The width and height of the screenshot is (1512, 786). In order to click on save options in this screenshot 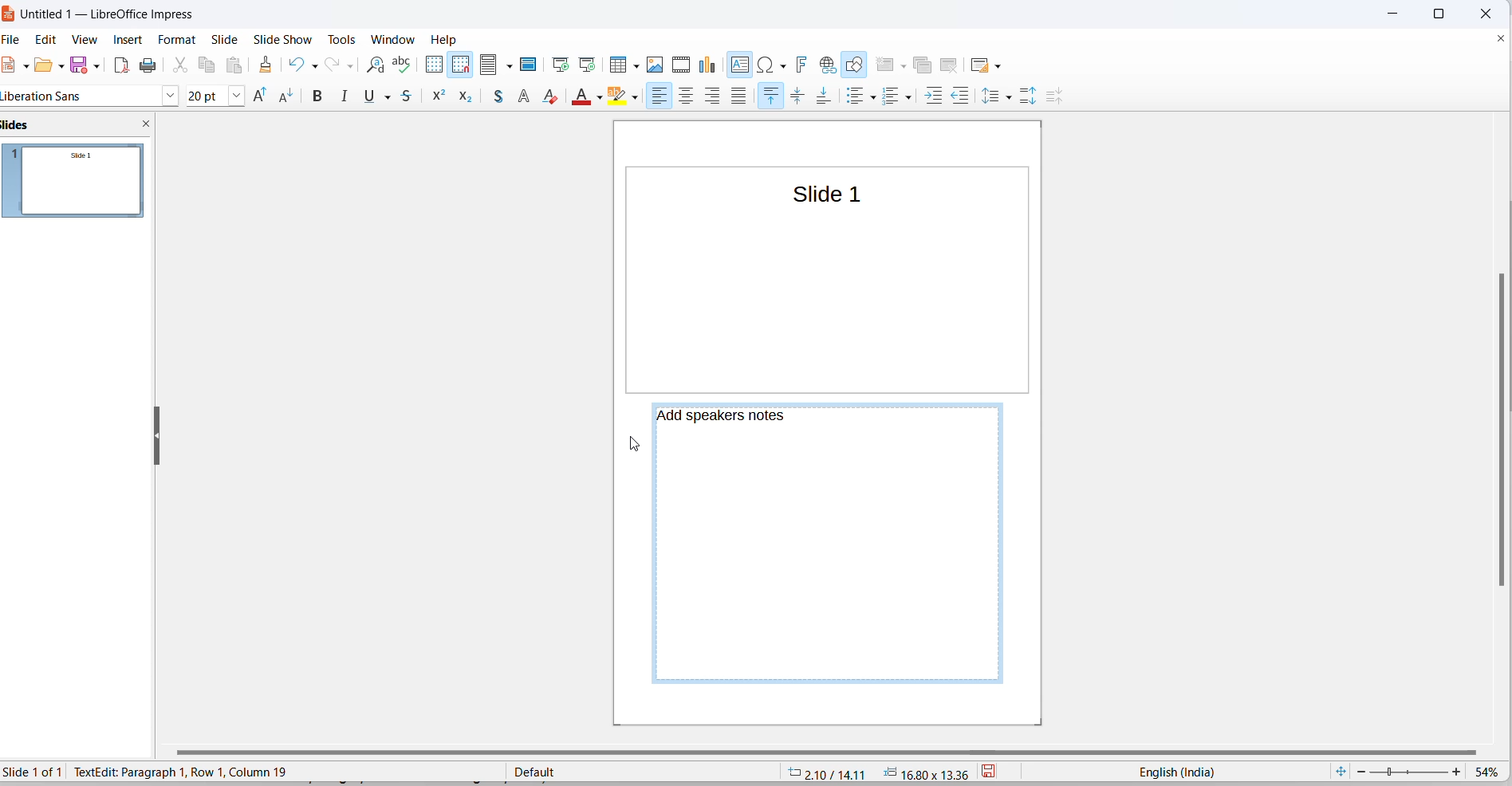, I will do `click(96, 65)`.